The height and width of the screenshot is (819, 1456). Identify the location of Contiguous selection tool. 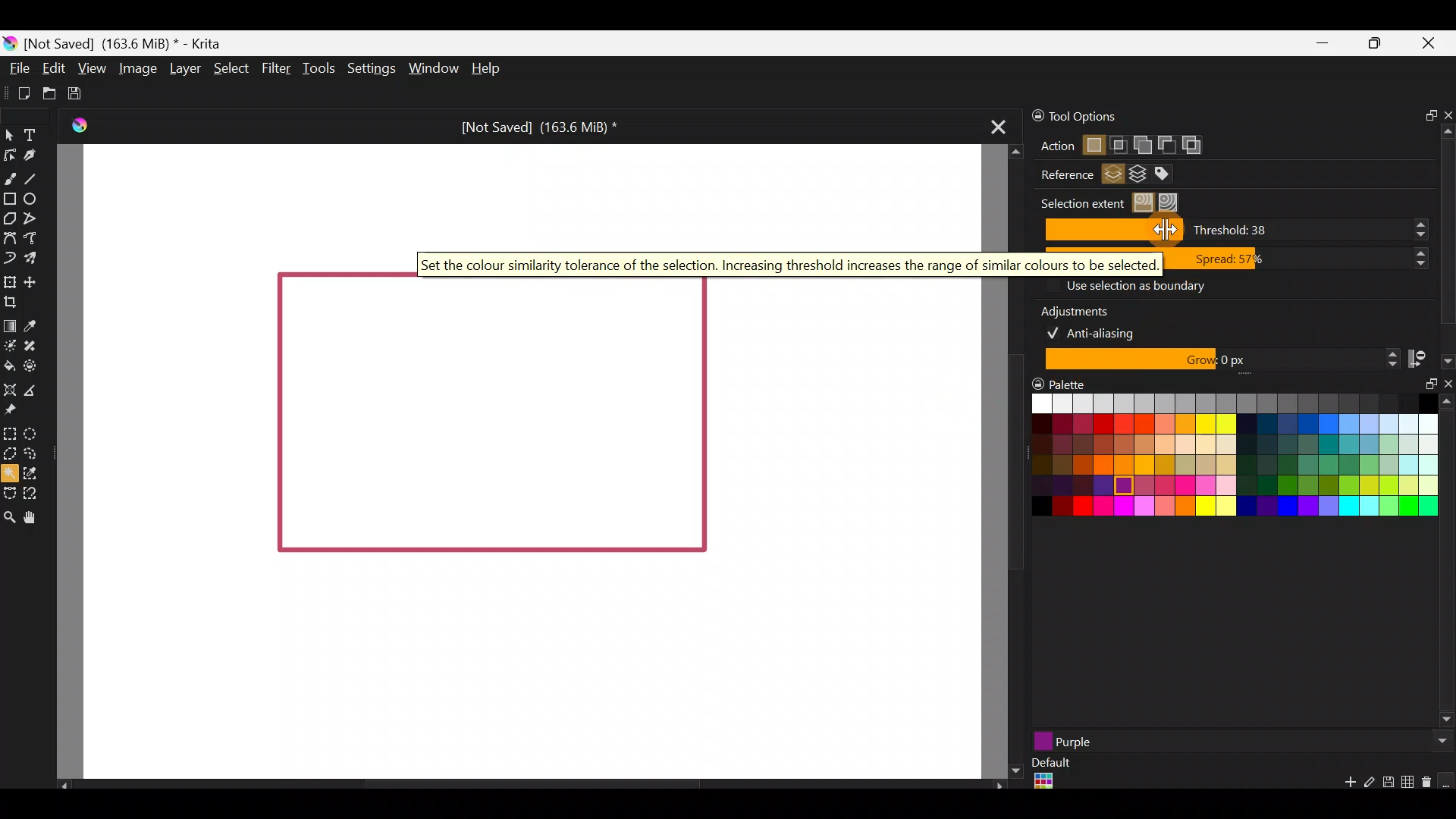
(11, 473).